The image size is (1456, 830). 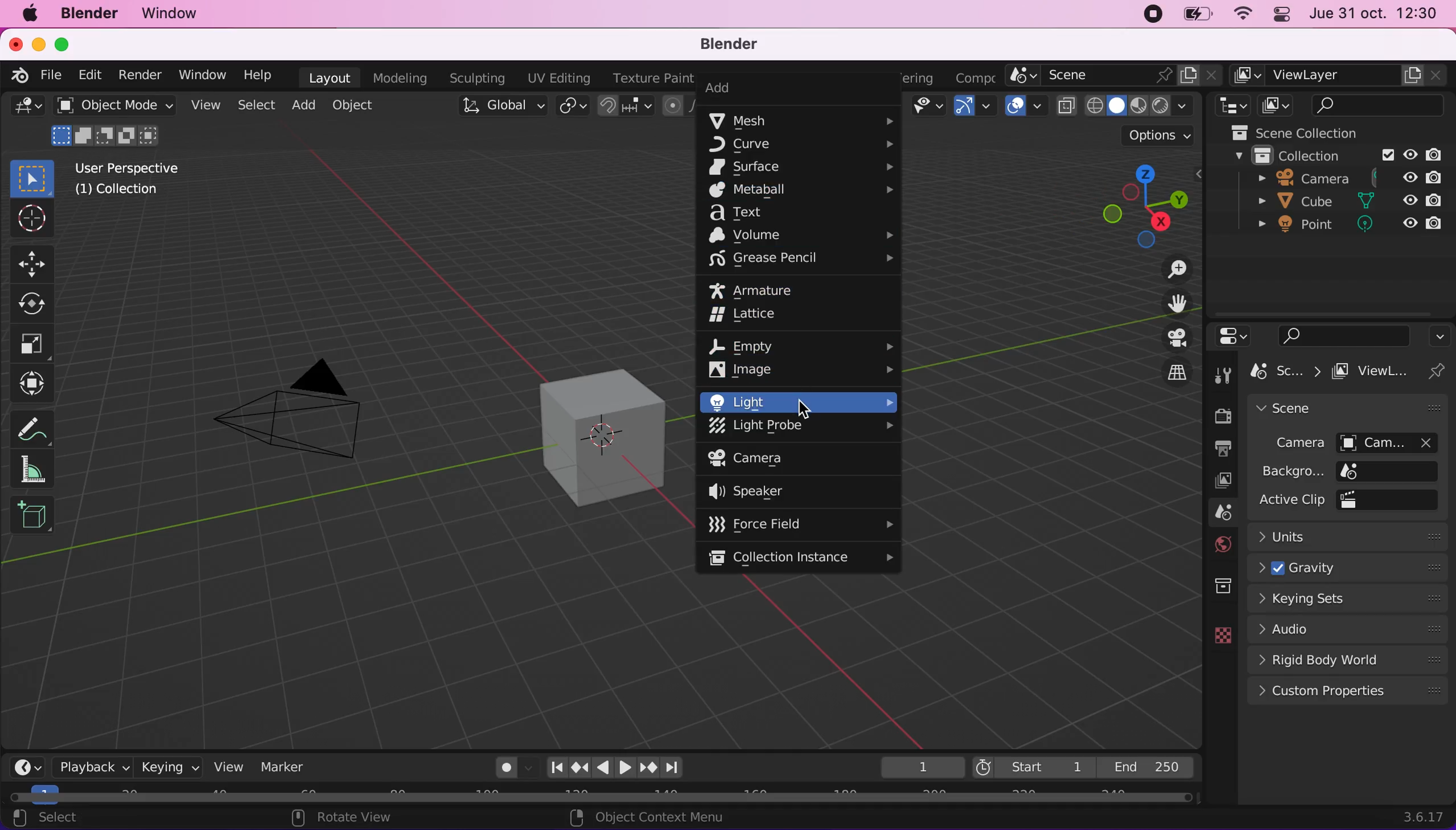 I want to click on blender, so click(x=91, y=15).